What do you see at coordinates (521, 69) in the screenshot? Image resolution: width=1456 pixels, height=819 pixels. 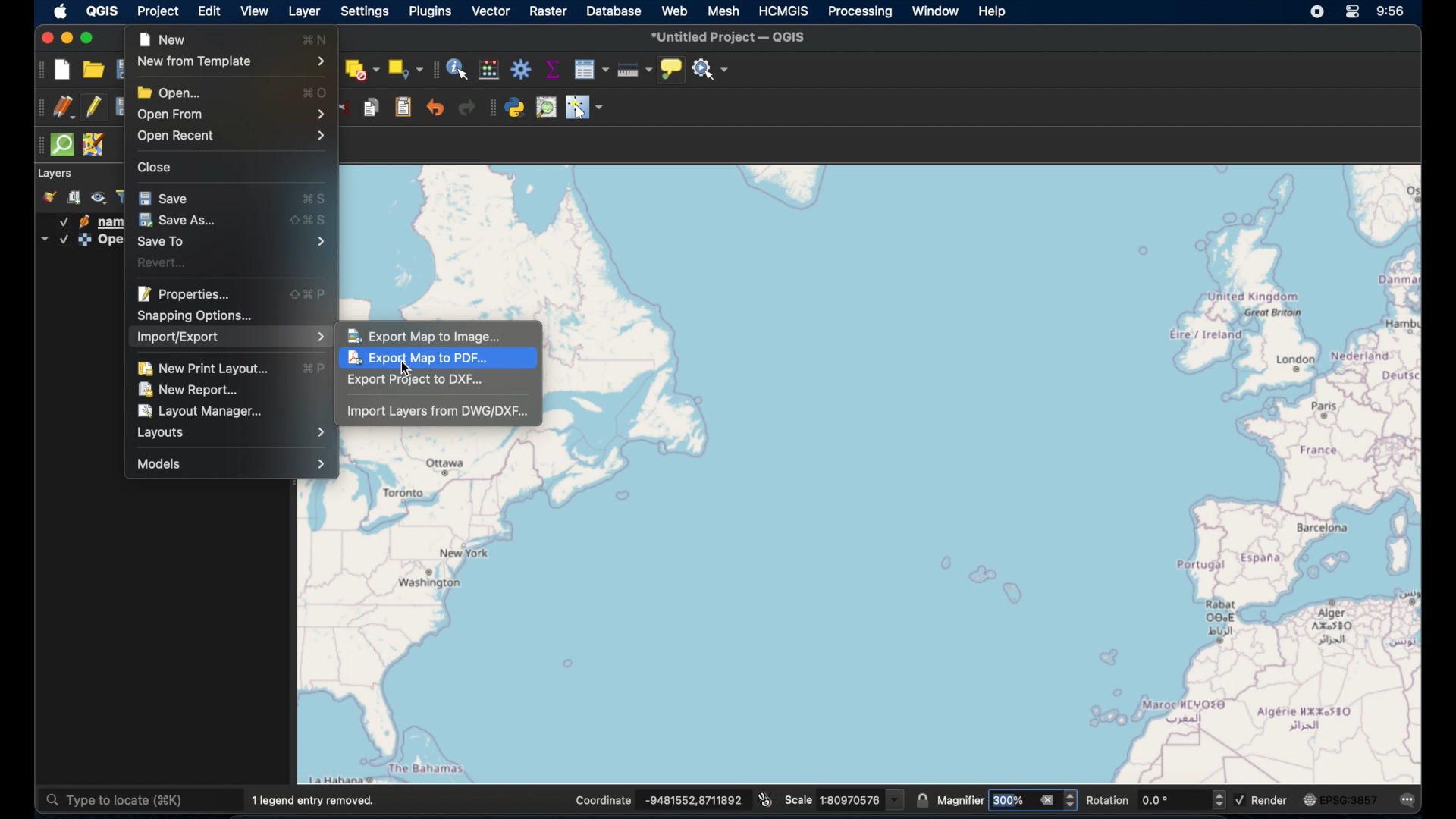 I see `toolbox` at bounding box center [521, 69].